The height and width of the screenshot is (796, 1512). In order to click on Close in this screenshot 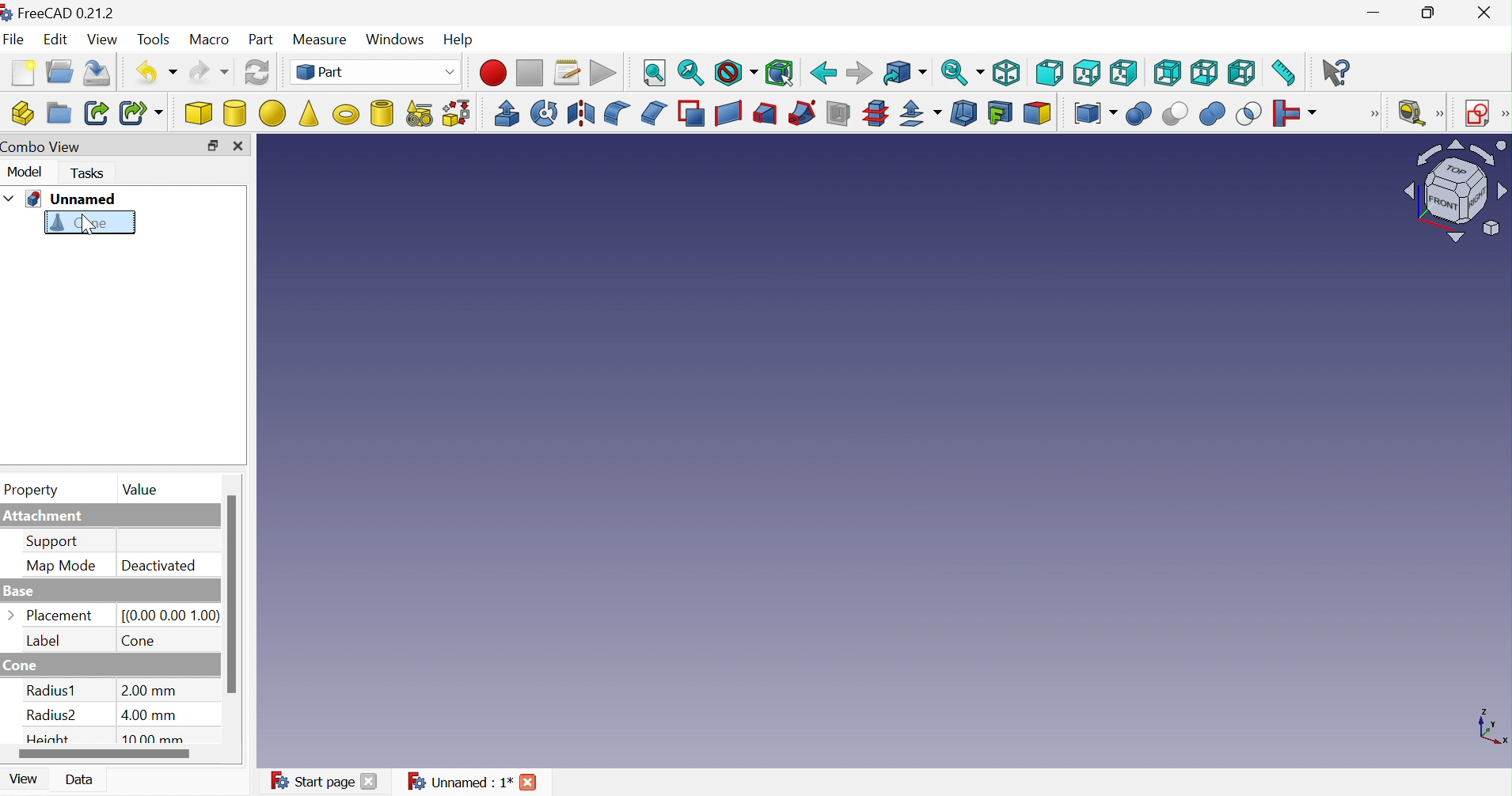, I will do `click(530, 780)`.